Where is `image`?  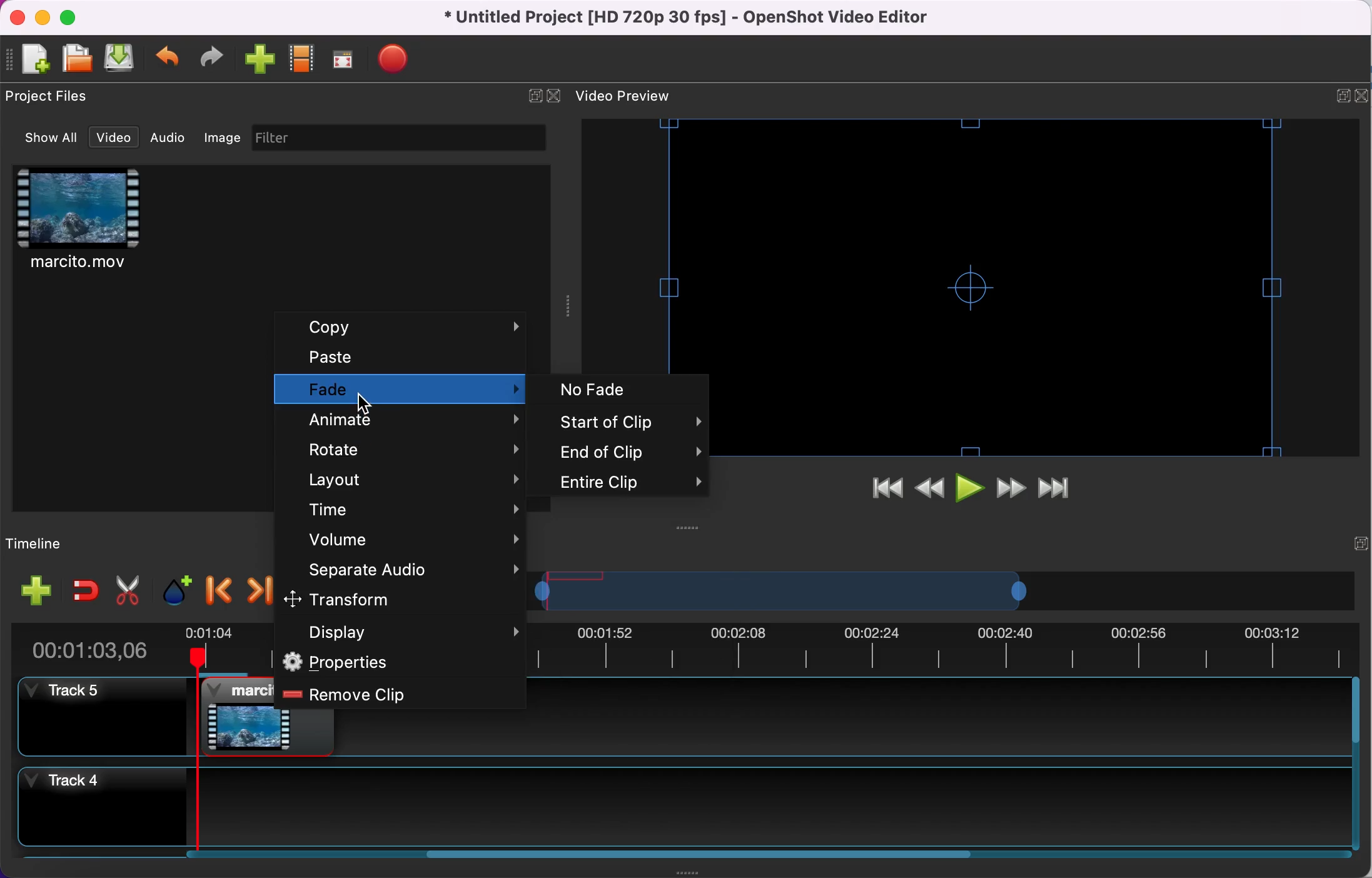
image is located at coordinates (218, 136).